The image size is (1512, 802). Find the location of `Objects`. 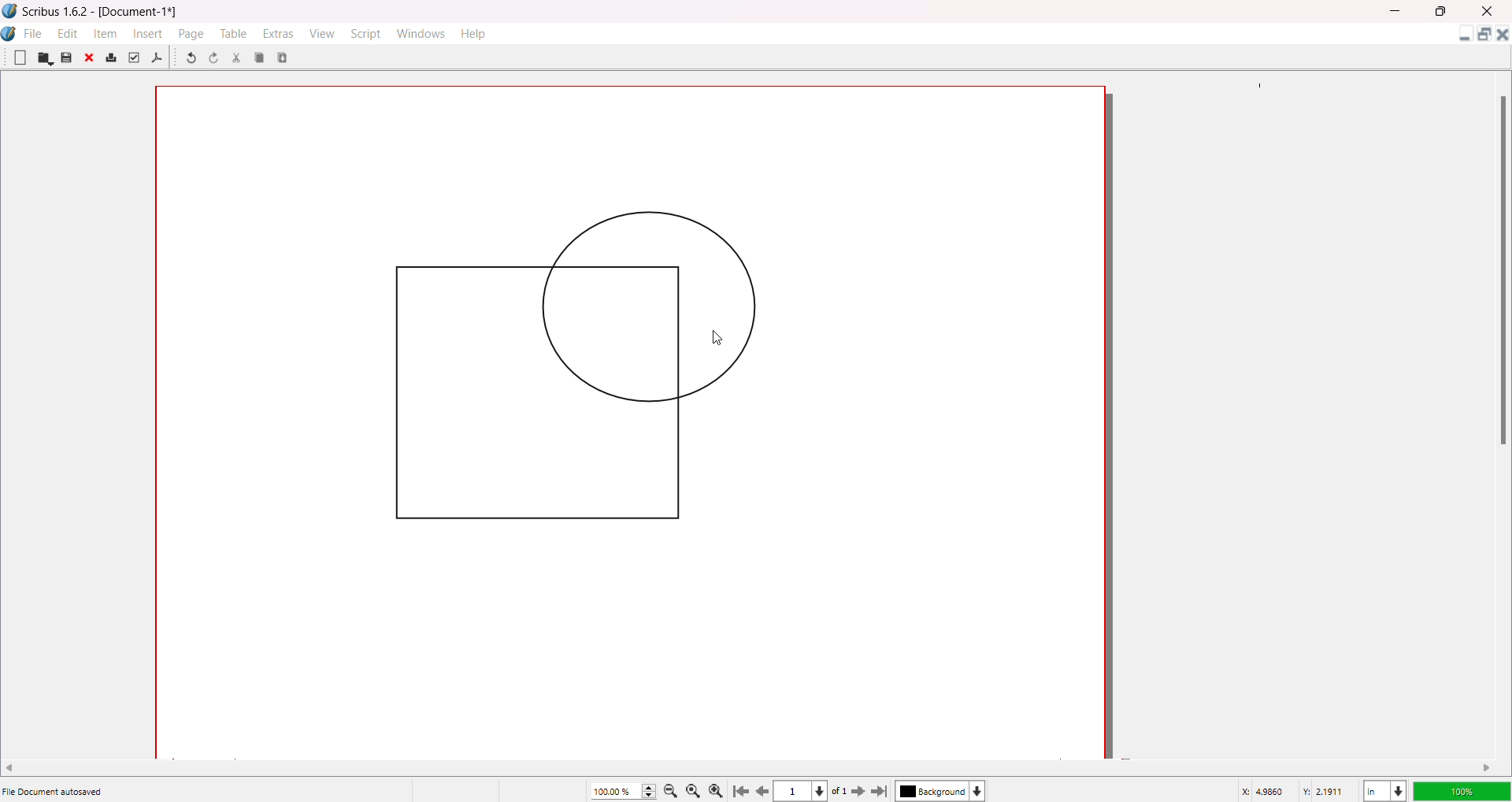

Objects is located at coordinates (548, 364).